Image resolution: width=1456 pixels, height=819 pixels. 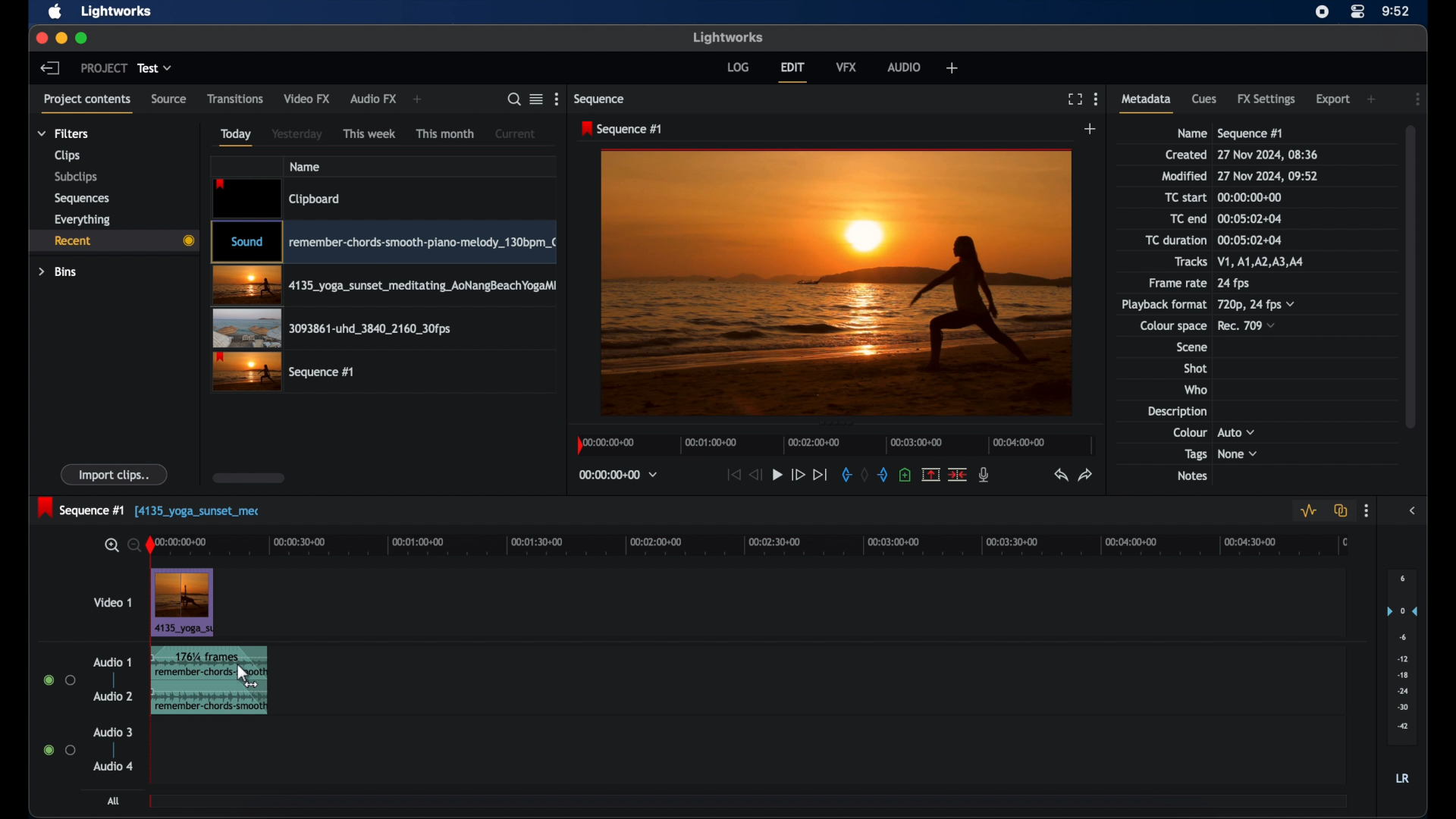 What do you see at coordinates (986, 475) in the screenshot?
I see `mic` at bounding box center [986, 475].